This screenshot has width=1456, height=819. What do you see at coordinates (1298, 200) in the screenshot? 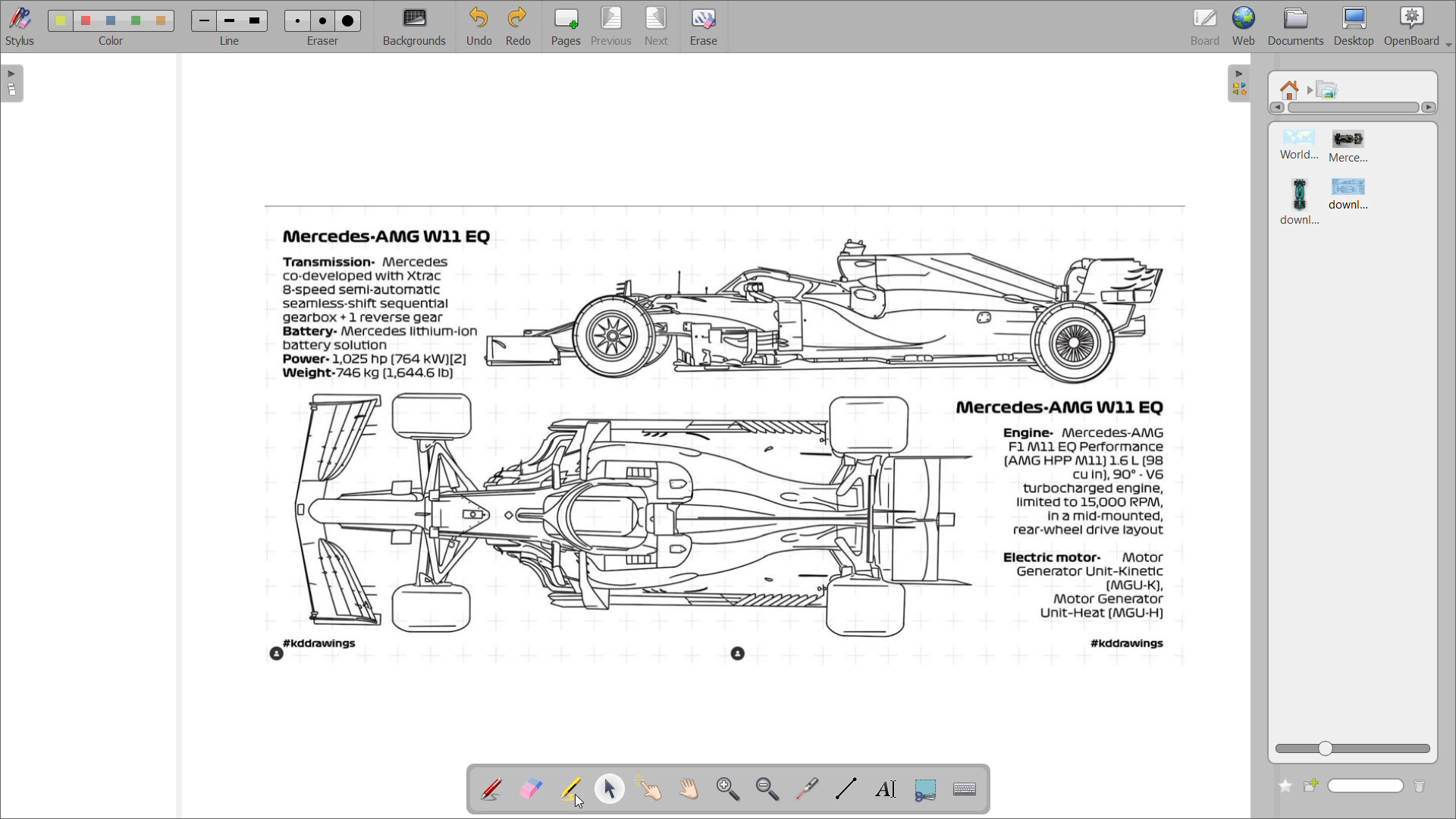
I see `image 3` at bounding box center [1298, 200].